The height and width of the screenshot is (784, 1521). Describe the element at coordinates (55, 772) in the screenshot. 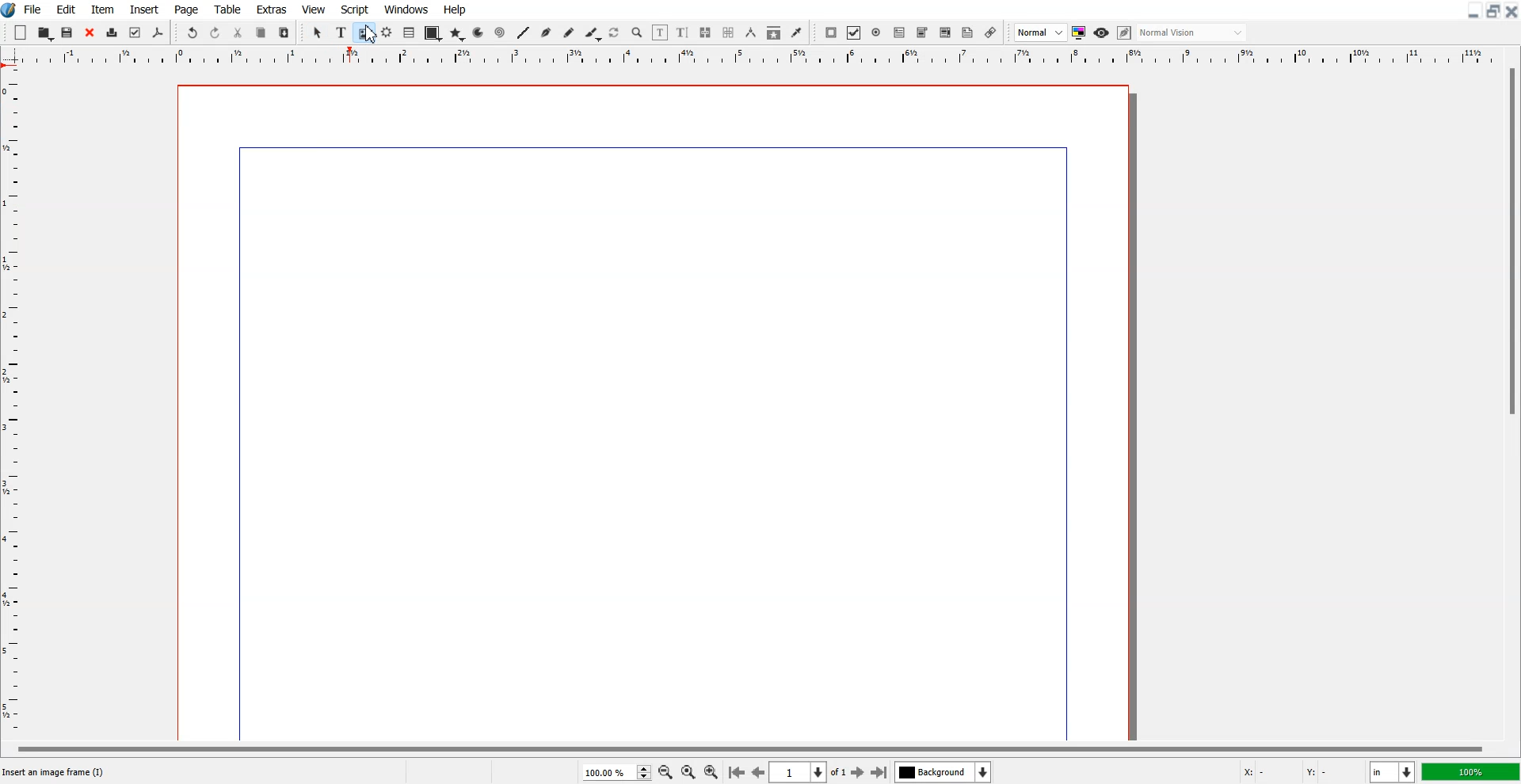

I see `Insert an image frame (I)` at that location.